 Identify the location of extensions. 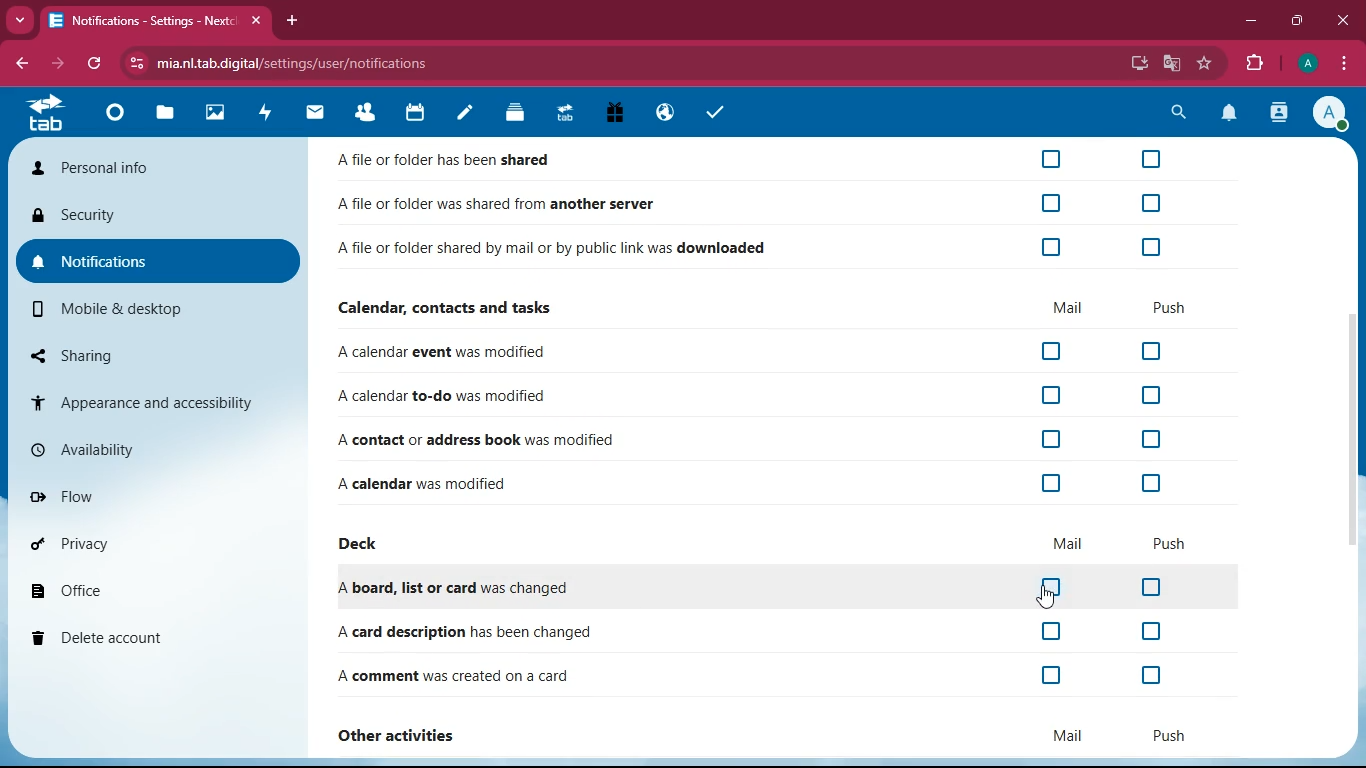
(1253, 65).